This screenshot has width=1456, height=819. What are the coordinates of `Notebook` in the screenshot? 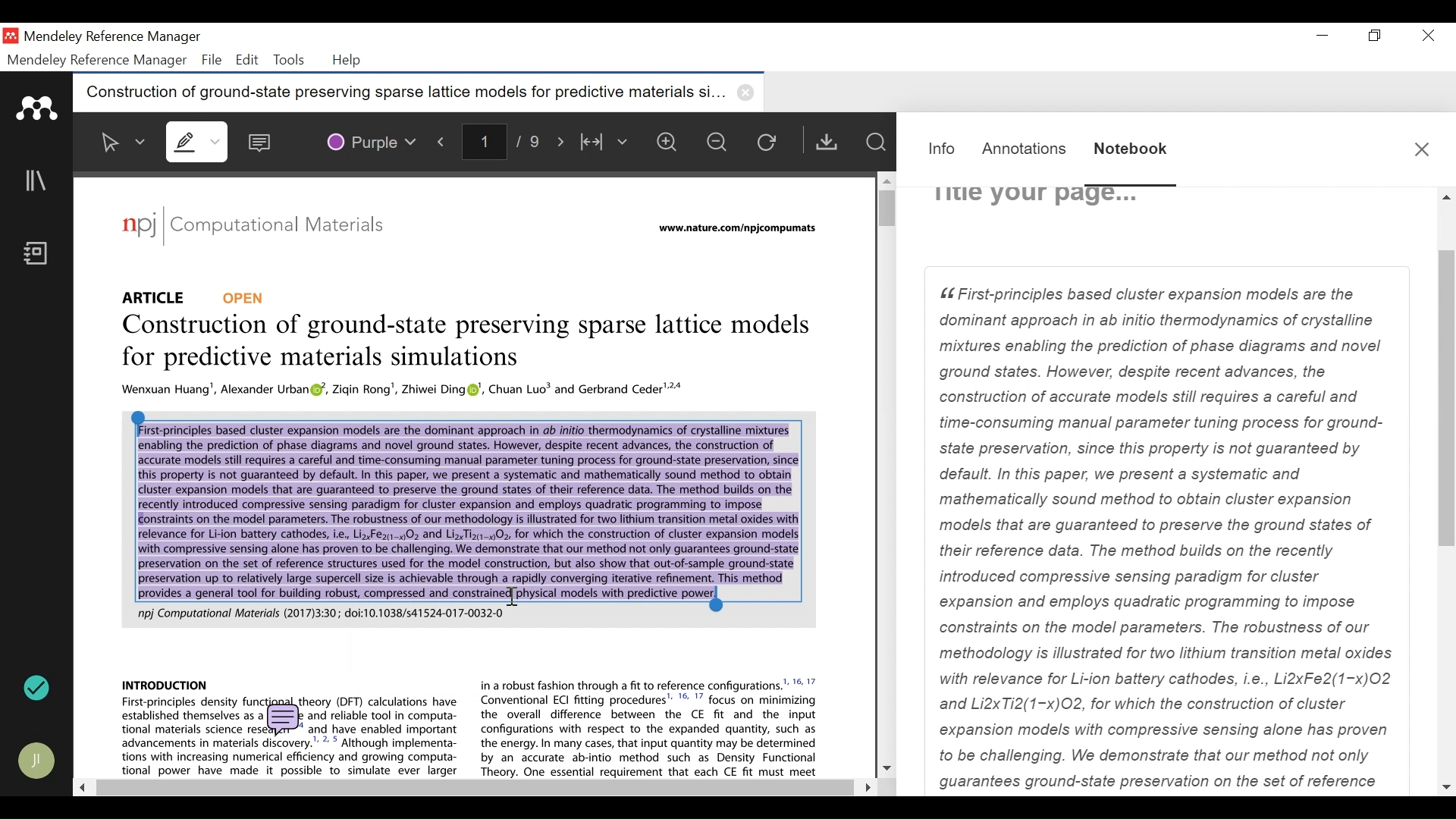 It's located at (1131, 152).